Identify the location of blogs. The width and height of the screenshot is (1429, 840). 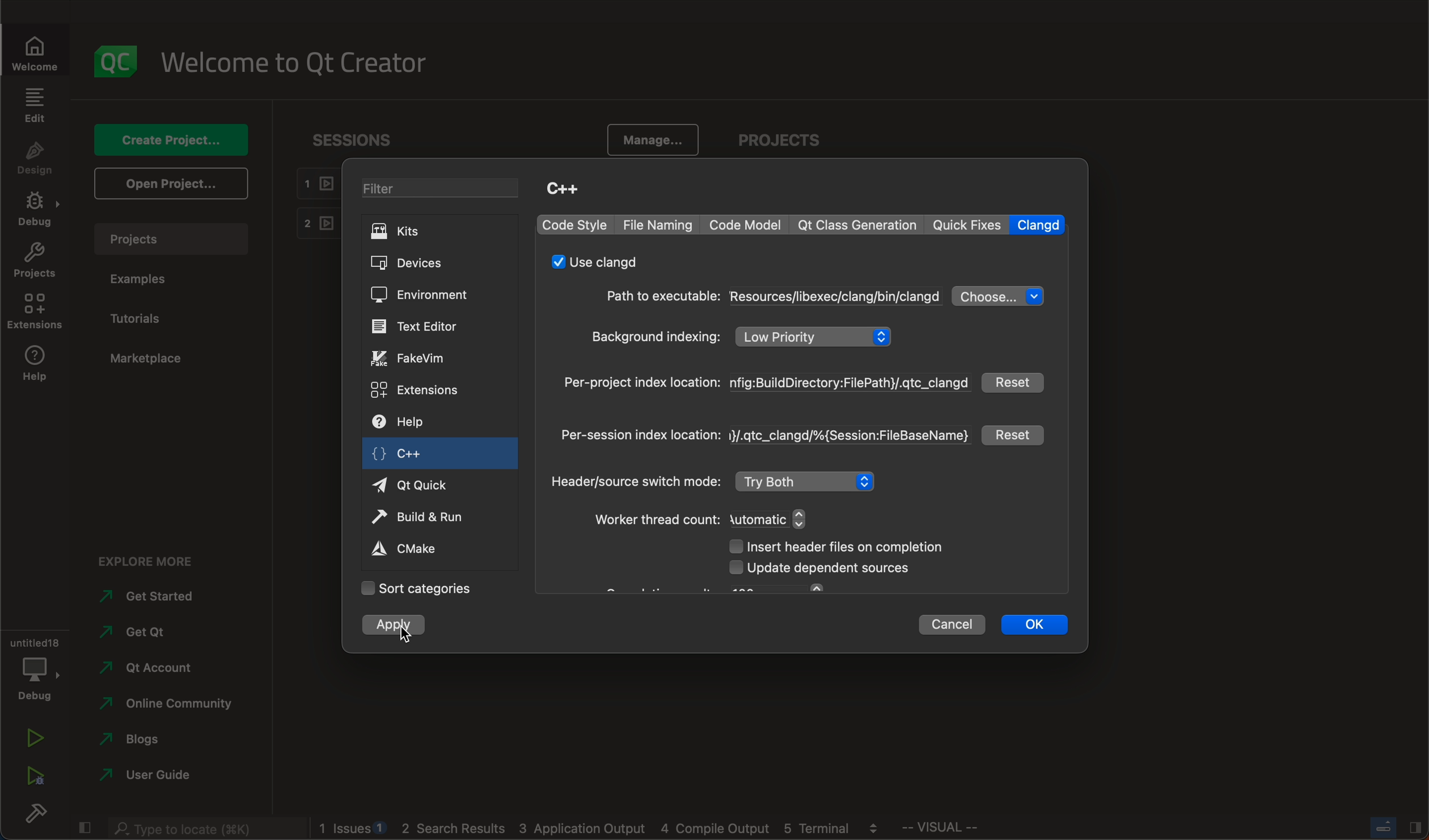
(133, 740).